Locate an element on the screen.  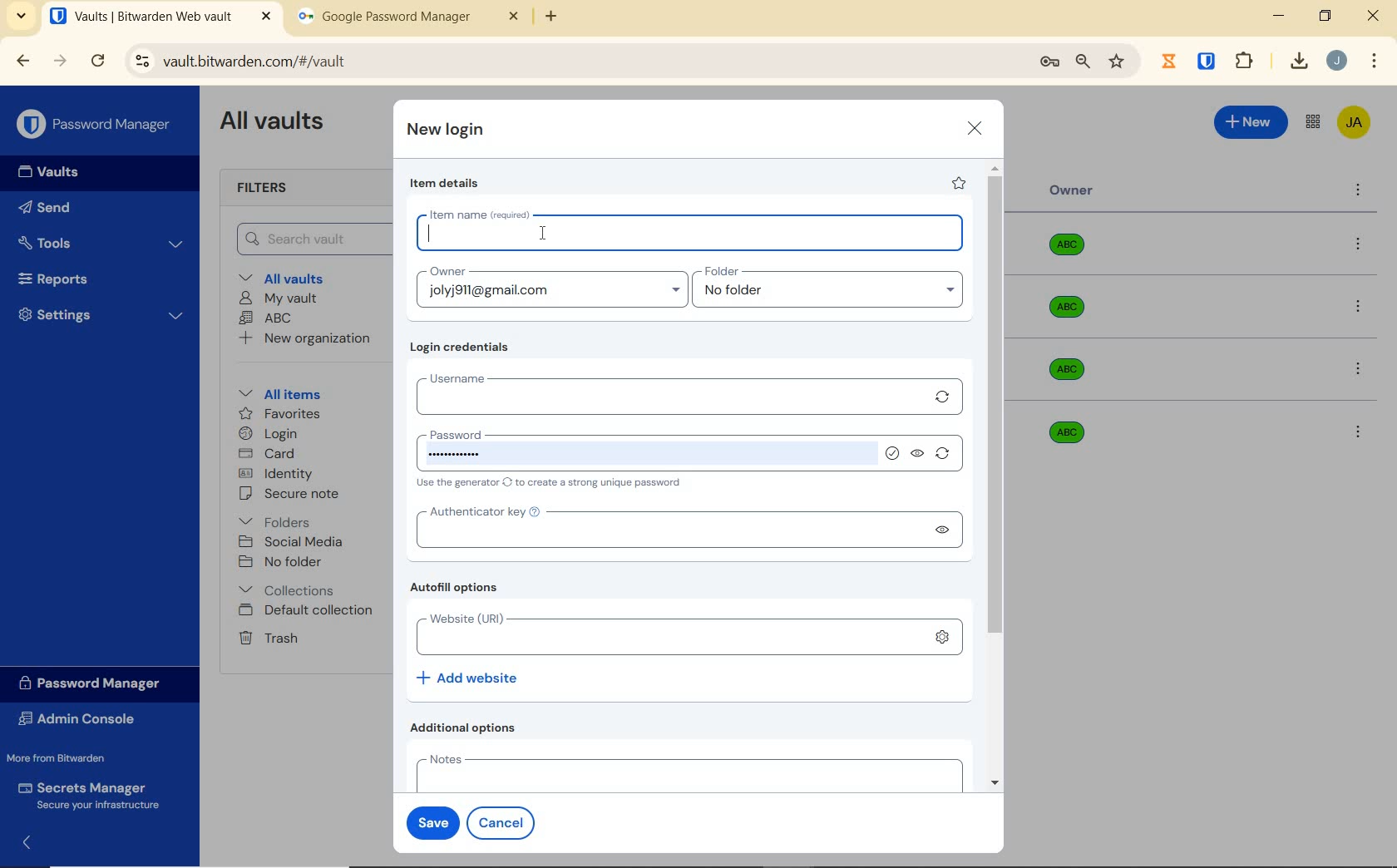
save is located at coordinates (429, 821).